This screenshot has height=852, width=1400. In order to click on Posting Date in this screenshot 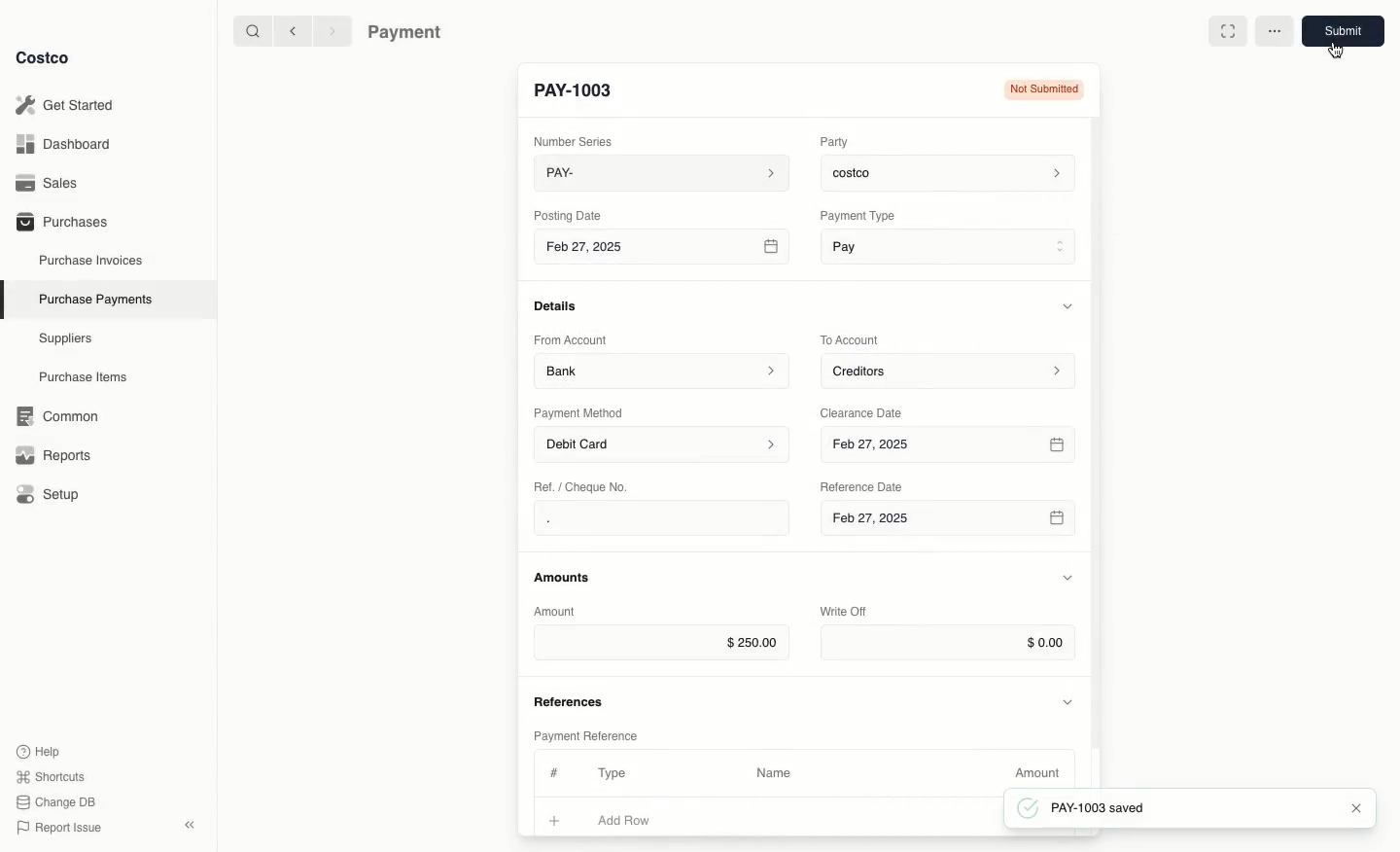, I will do `click(570, 214)`.